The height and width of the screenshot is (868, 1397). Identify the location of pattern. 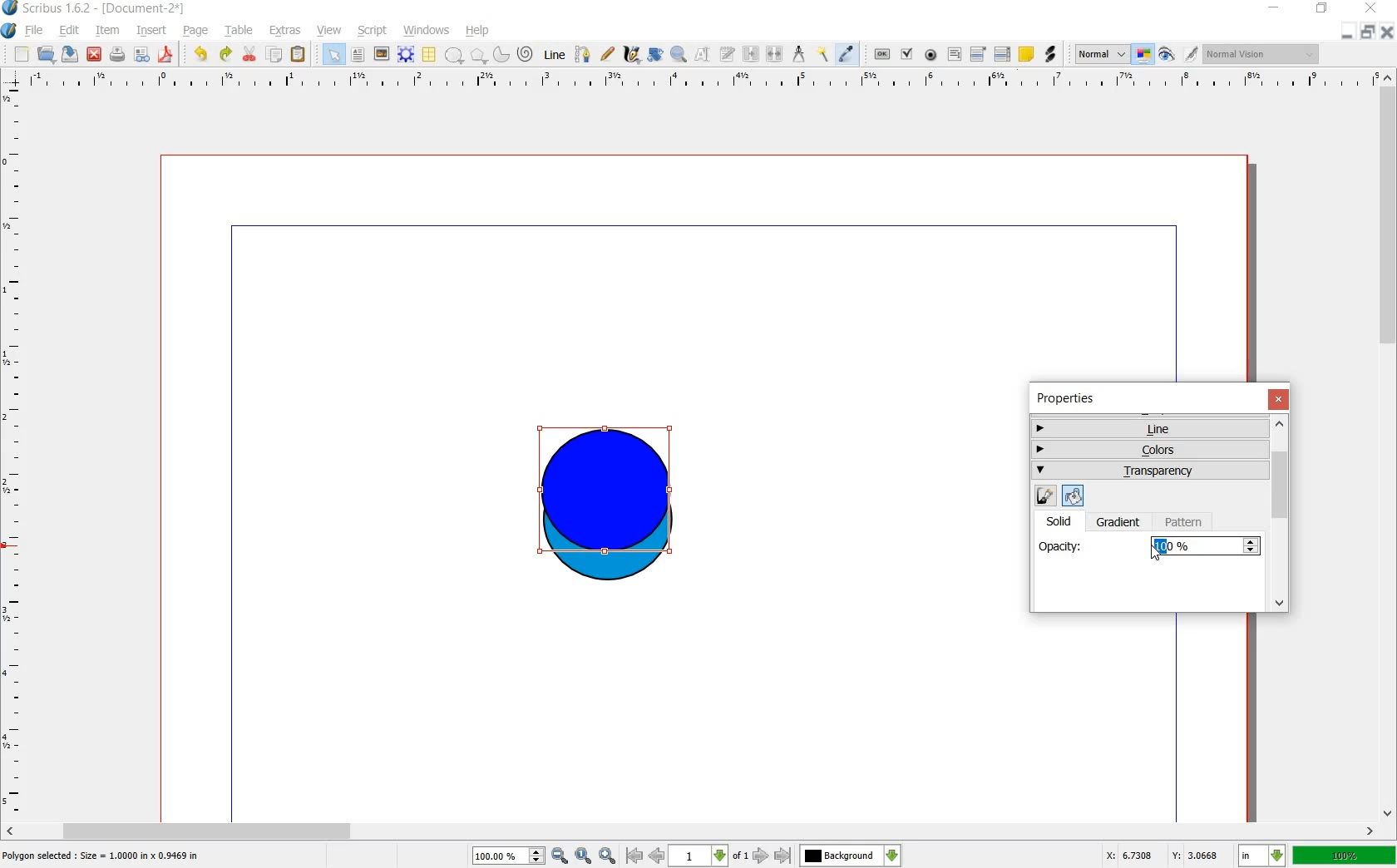
(1187, 522).